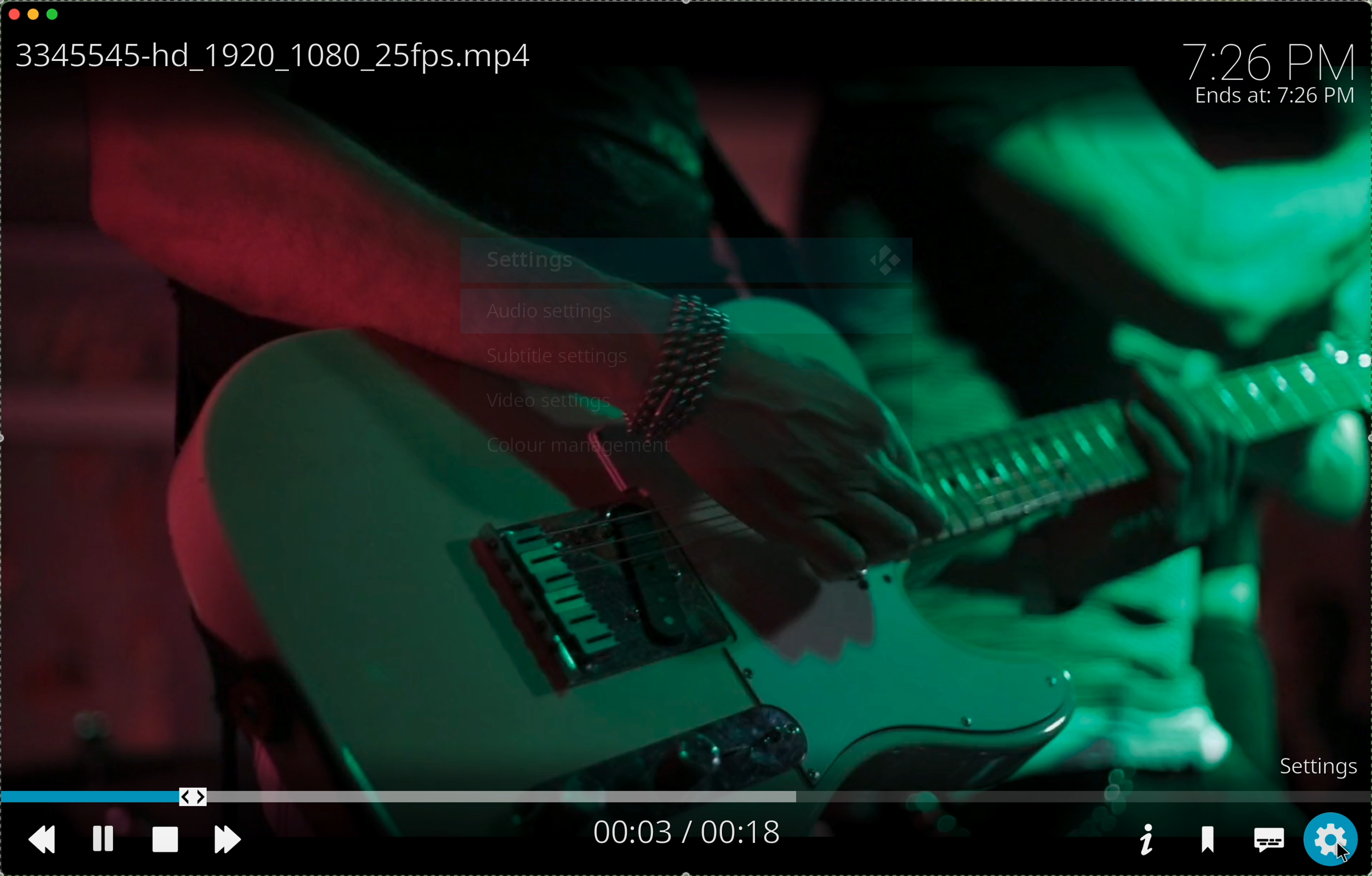  I want to click on ends at: 7:26 PM, so click(1281, 97).